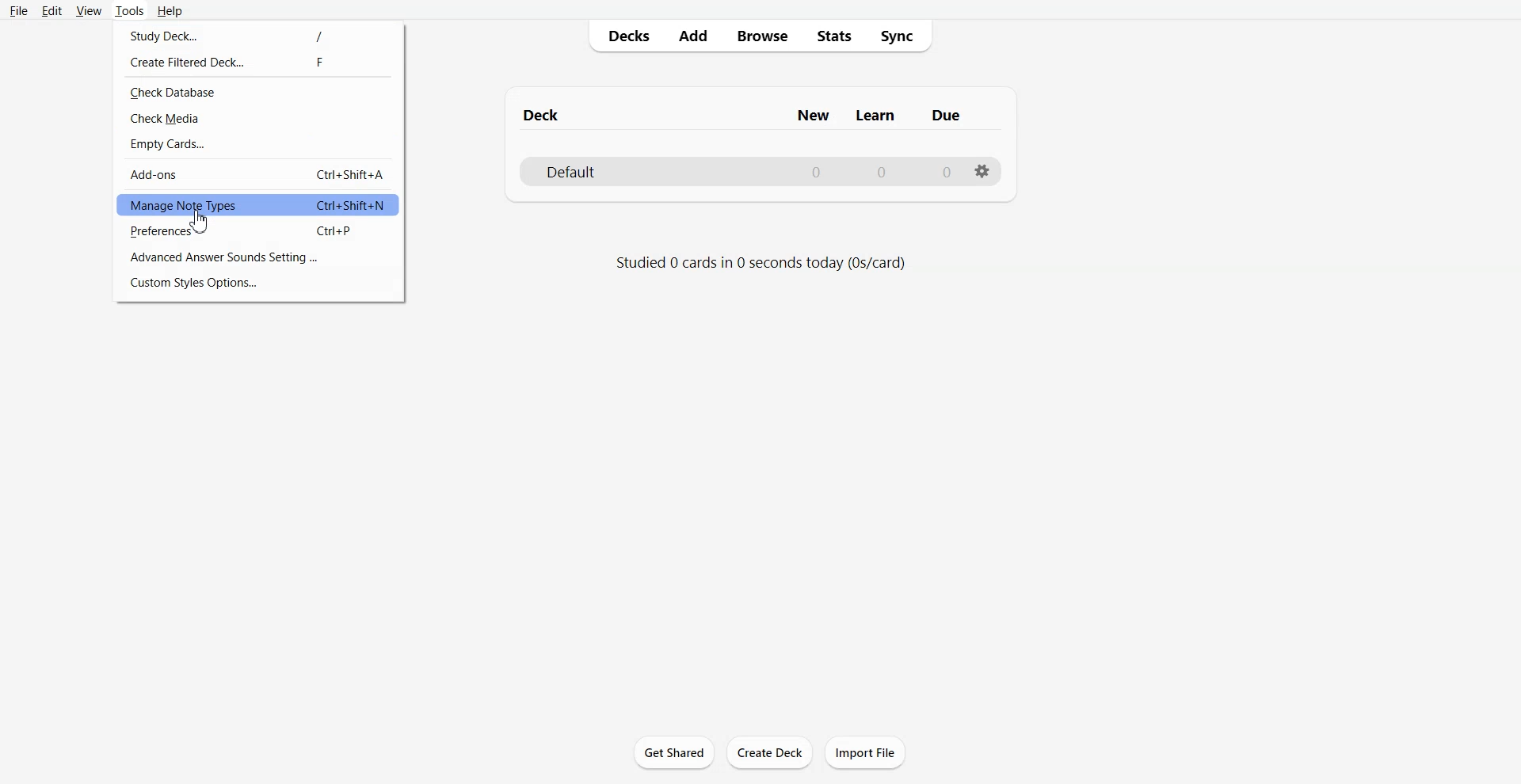  I want to click on Sync, so click(900, 36).